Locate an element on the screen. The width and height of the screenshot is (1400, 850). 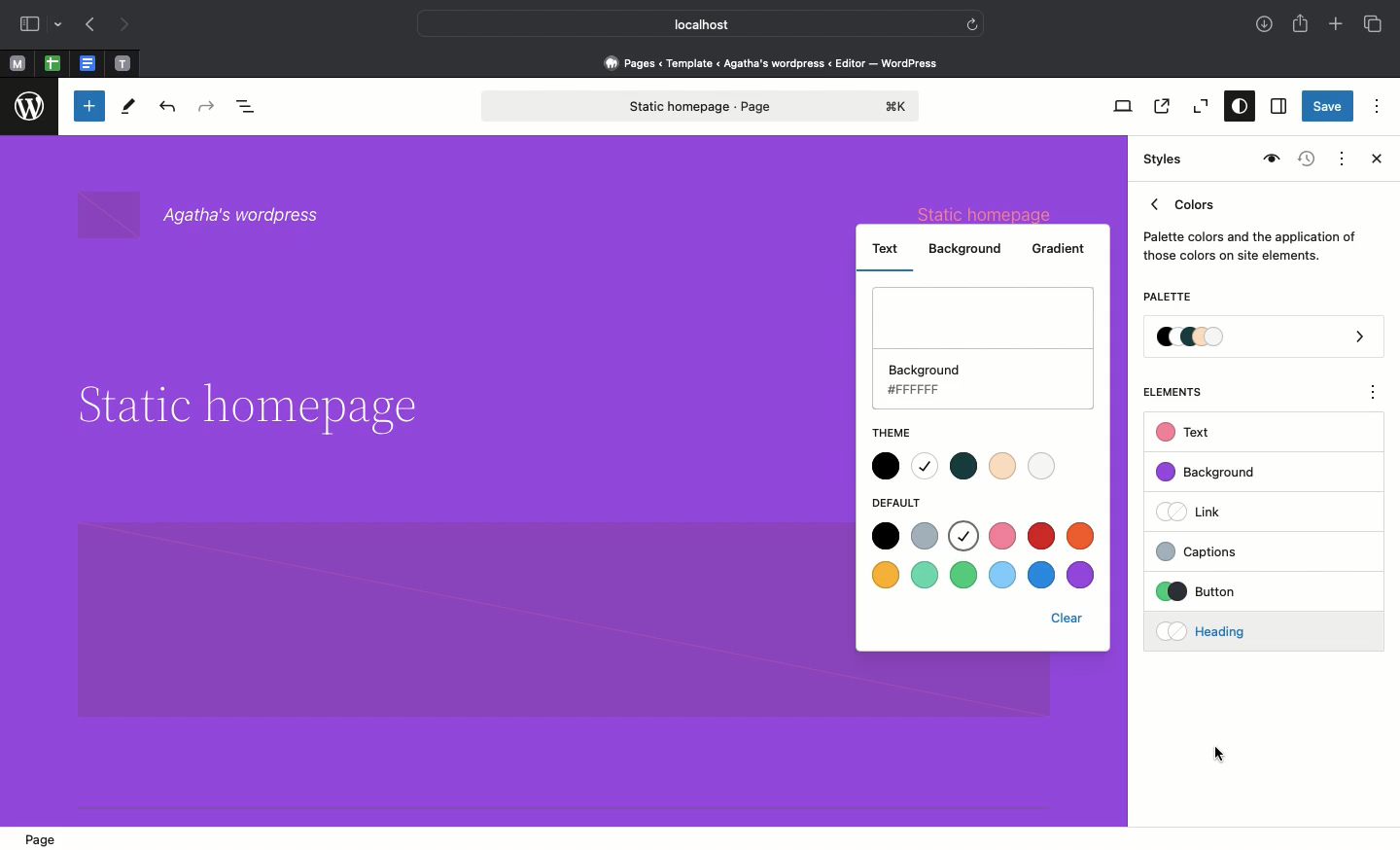
Theme is located at coordinates (892, 428).